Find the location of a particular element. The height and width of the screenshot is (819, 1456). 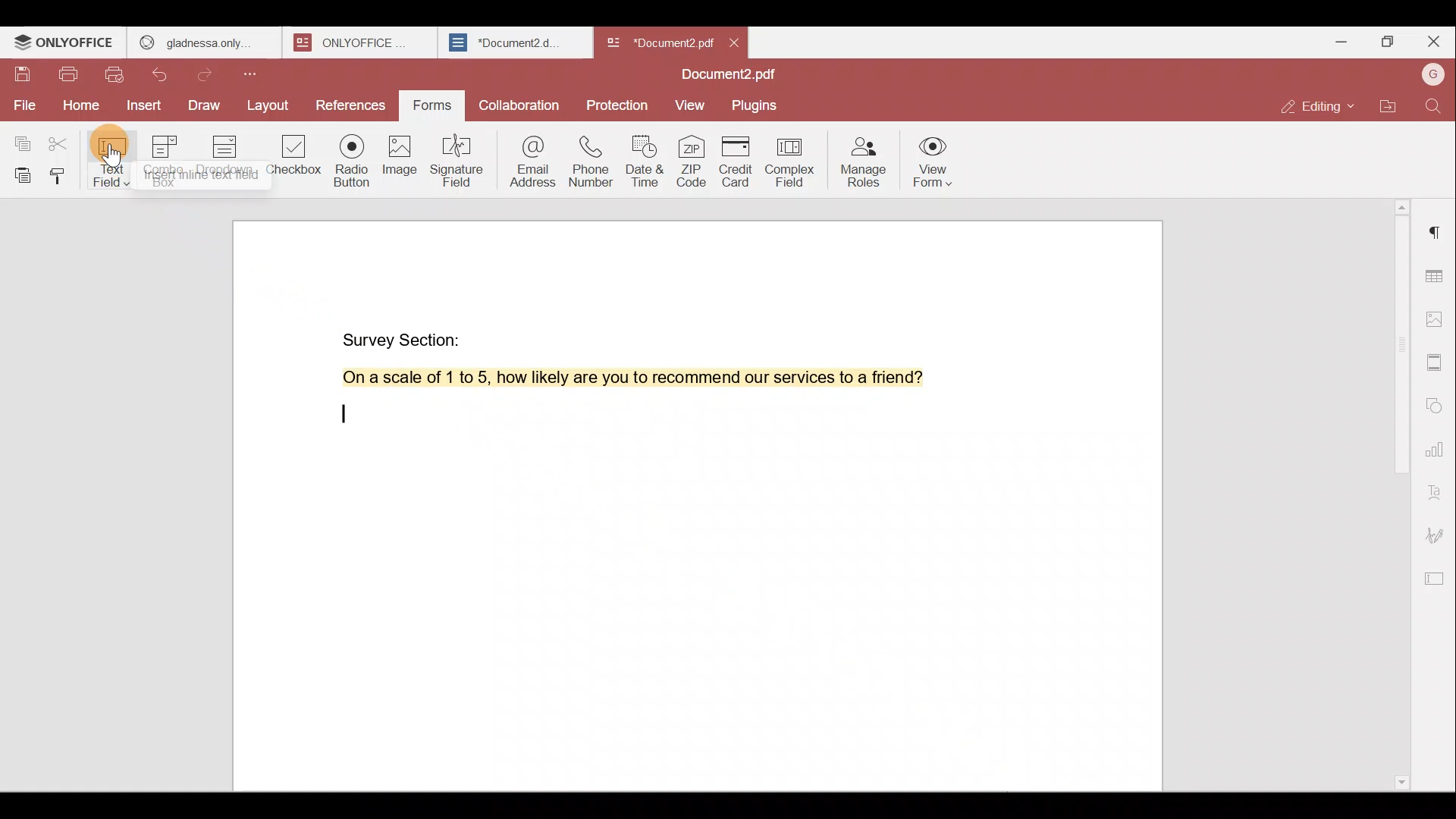

Checkbox is located at coordinates (295, 160).